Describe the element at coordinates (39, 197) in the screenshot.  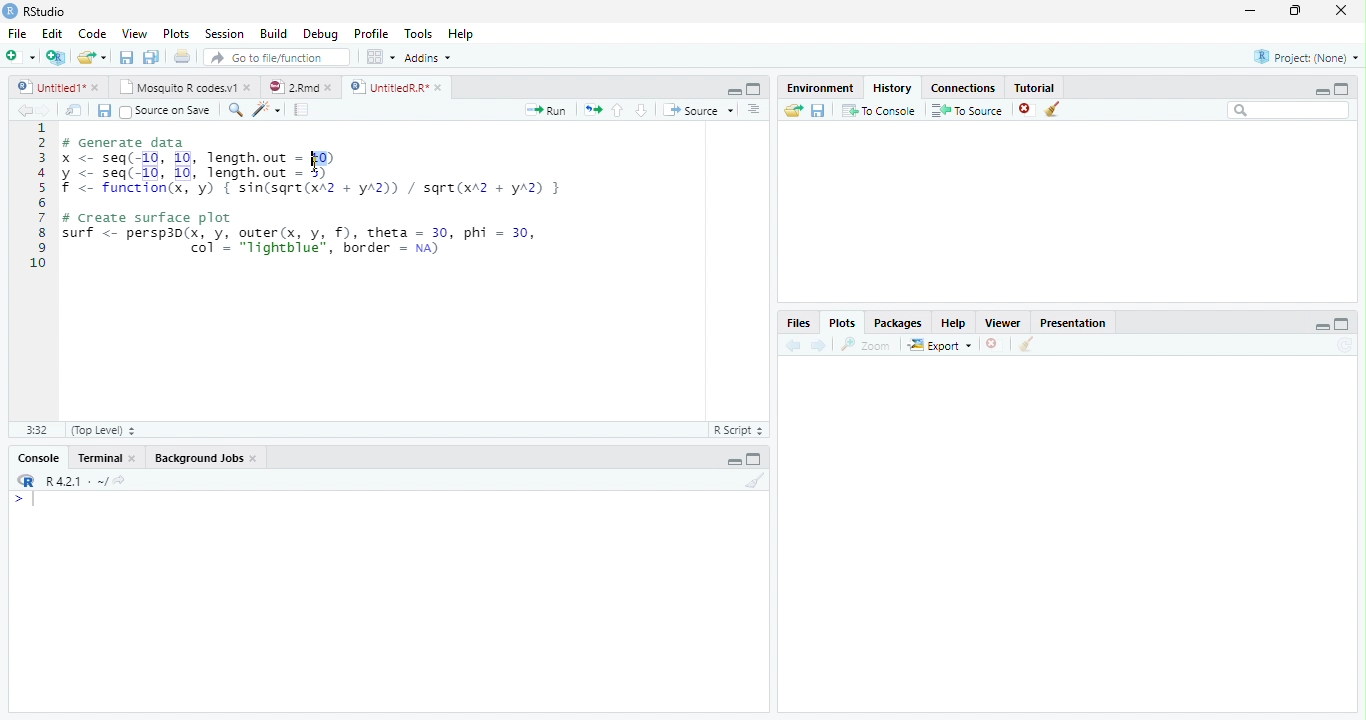
I see `Line numbers` at that location.